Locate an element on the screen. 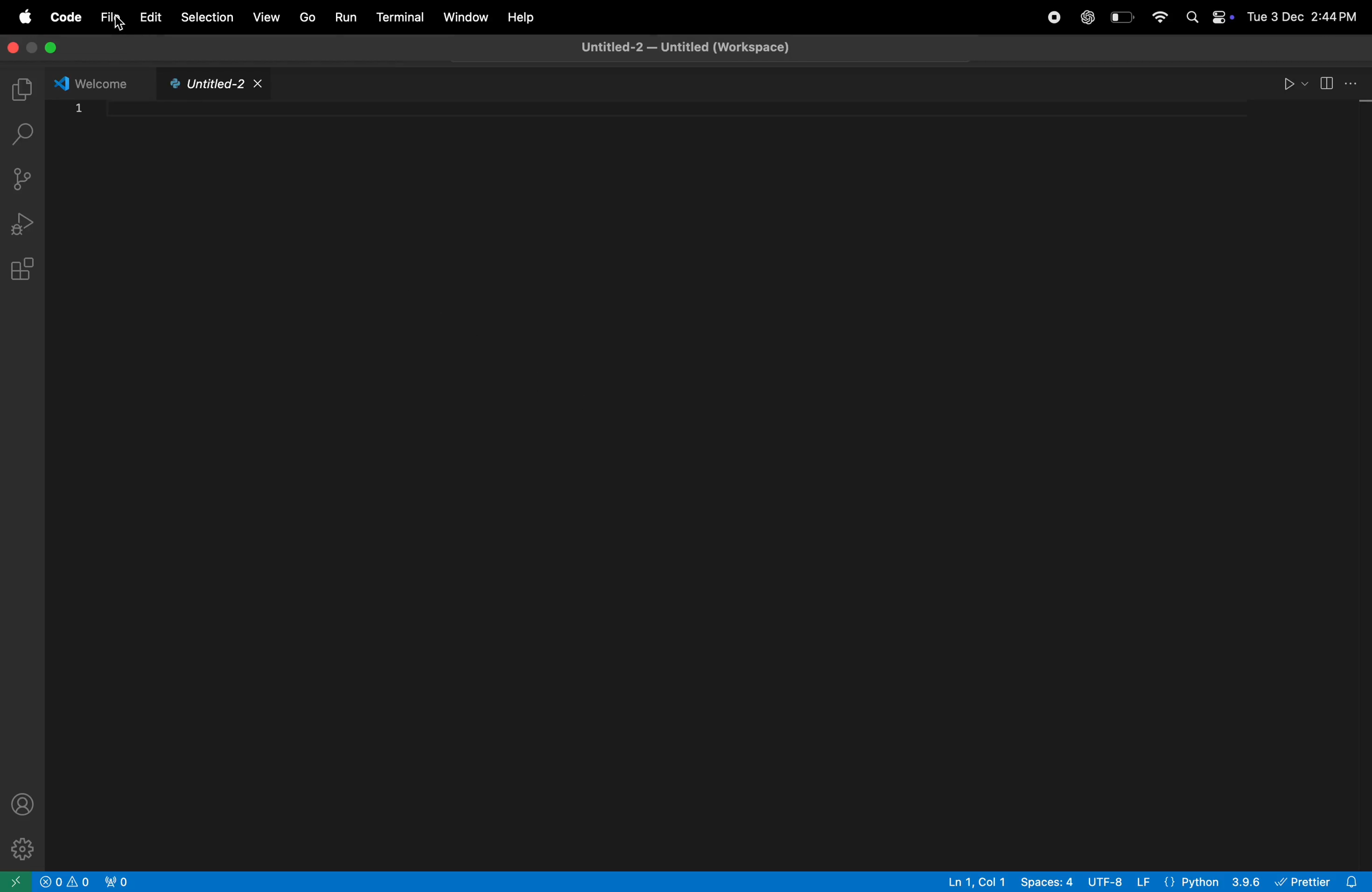 Image resolution: width=1372 pixels, height=892 pixels. wifi is located at coordinates (1159, 18).